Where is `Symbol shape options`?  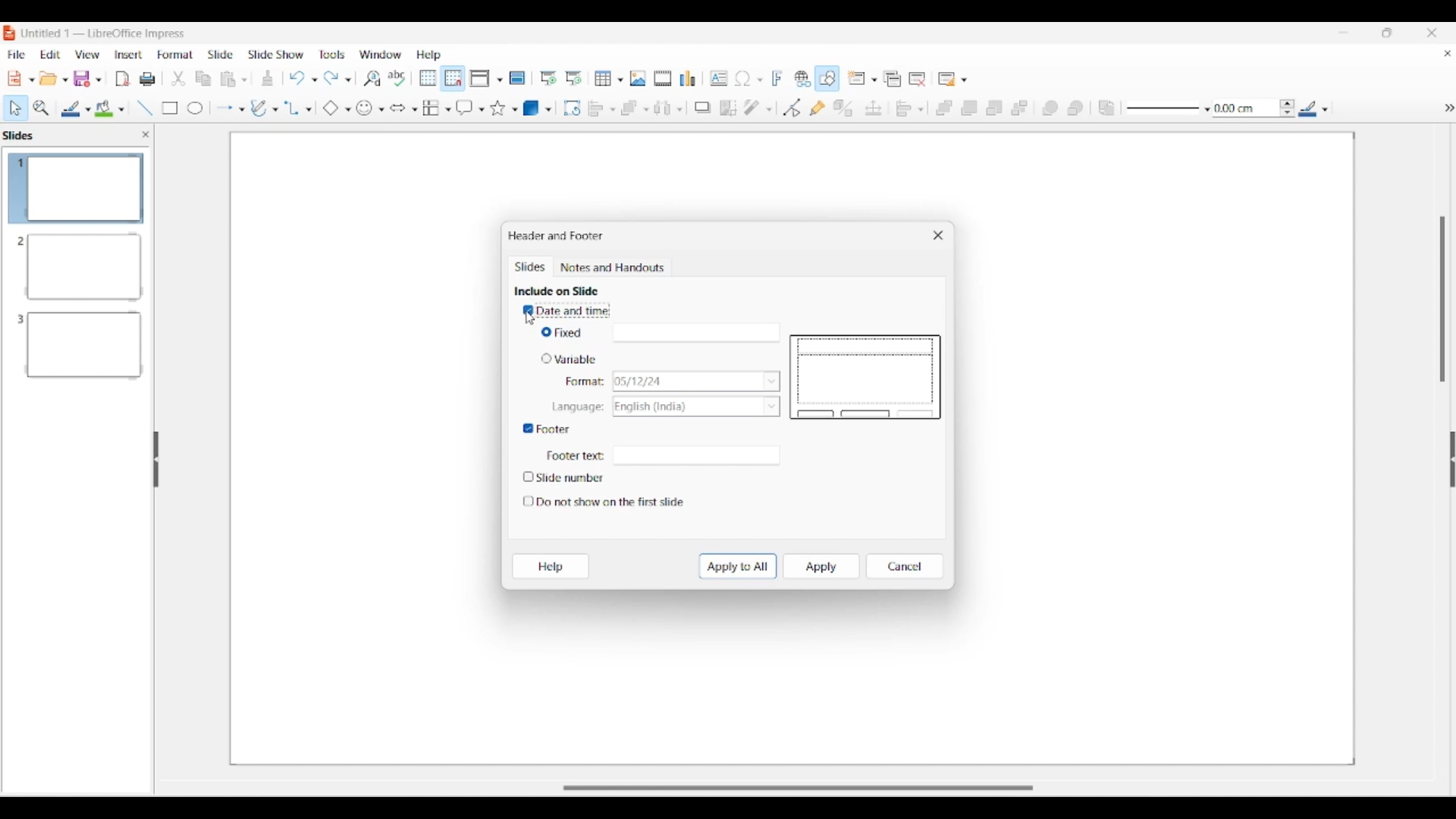 Symbol shape options is located at coordinates (371, 108).